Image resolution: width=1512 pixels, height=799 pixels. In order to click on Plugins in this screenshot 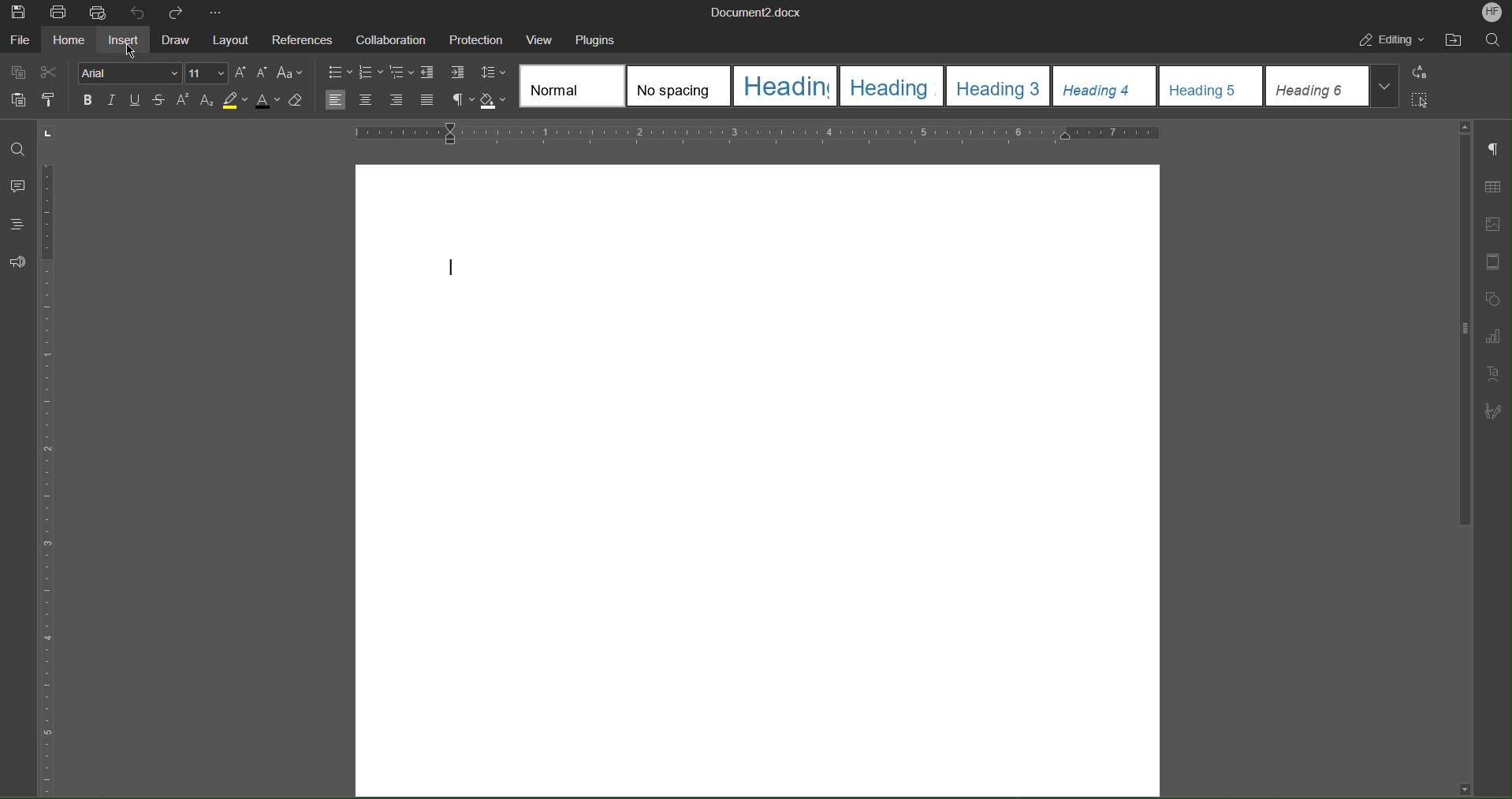, I will do `click(596, 38)`.